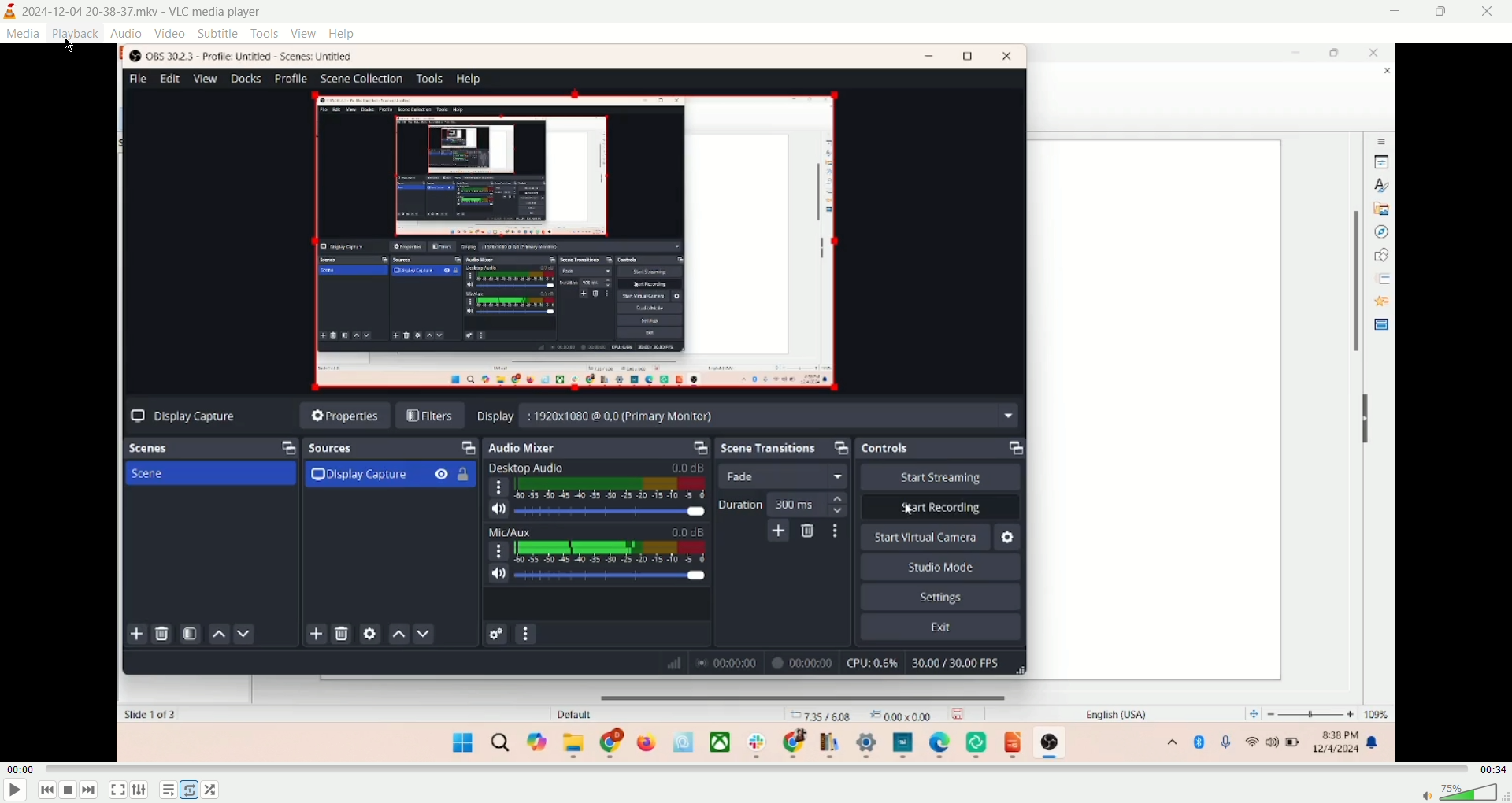  Describe the element at coordinates (1495, 771) in the screenshot. I see `total time` at that location.